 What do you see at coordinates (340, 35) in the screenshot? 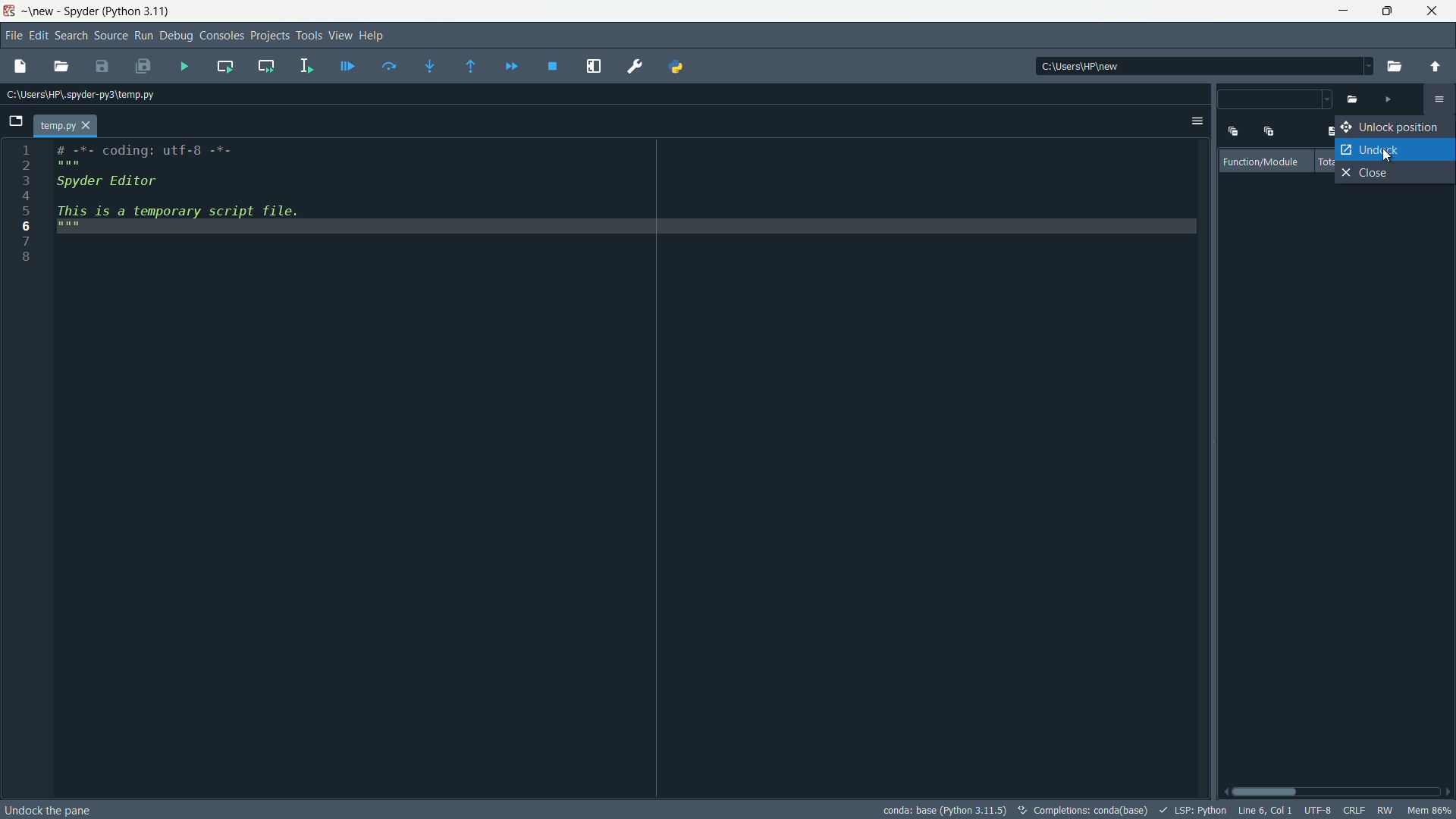
I see `view menu` at bounding box center [340, 35].